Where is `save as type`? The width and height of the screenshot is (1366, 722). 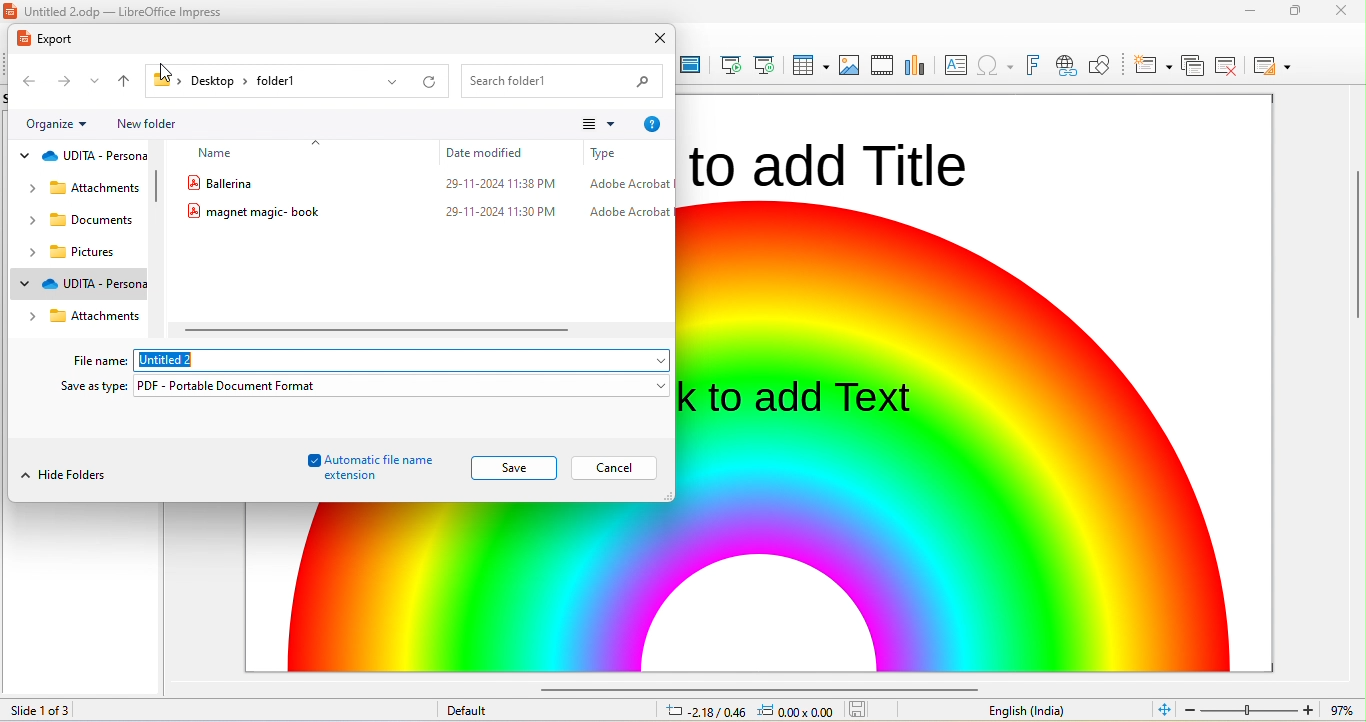 save as type is located at coordinates (94, 388).